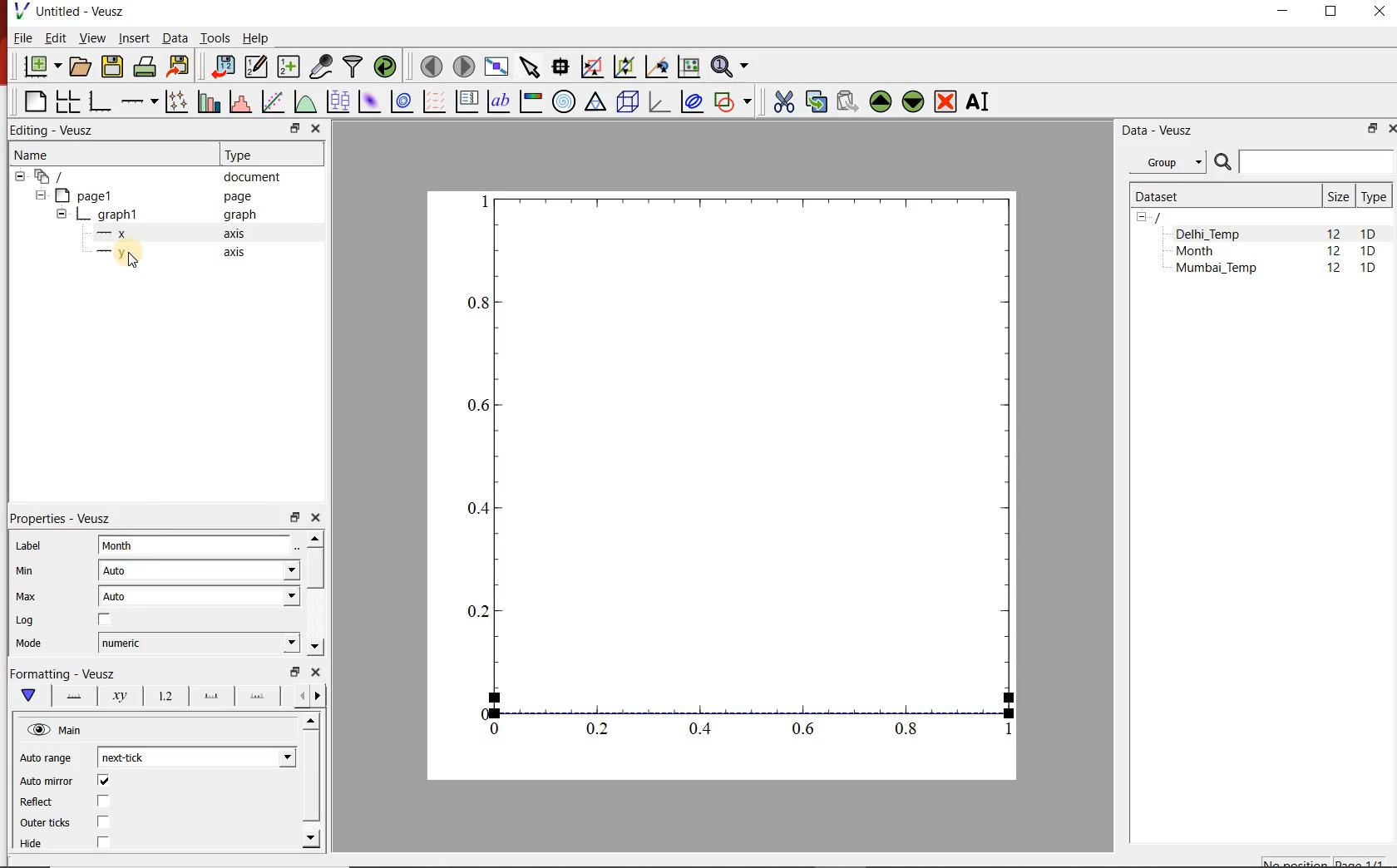 The width and height of the screenshot is (1397, 868). I want to click on arrange graphs in a grid, so click(67, 101).